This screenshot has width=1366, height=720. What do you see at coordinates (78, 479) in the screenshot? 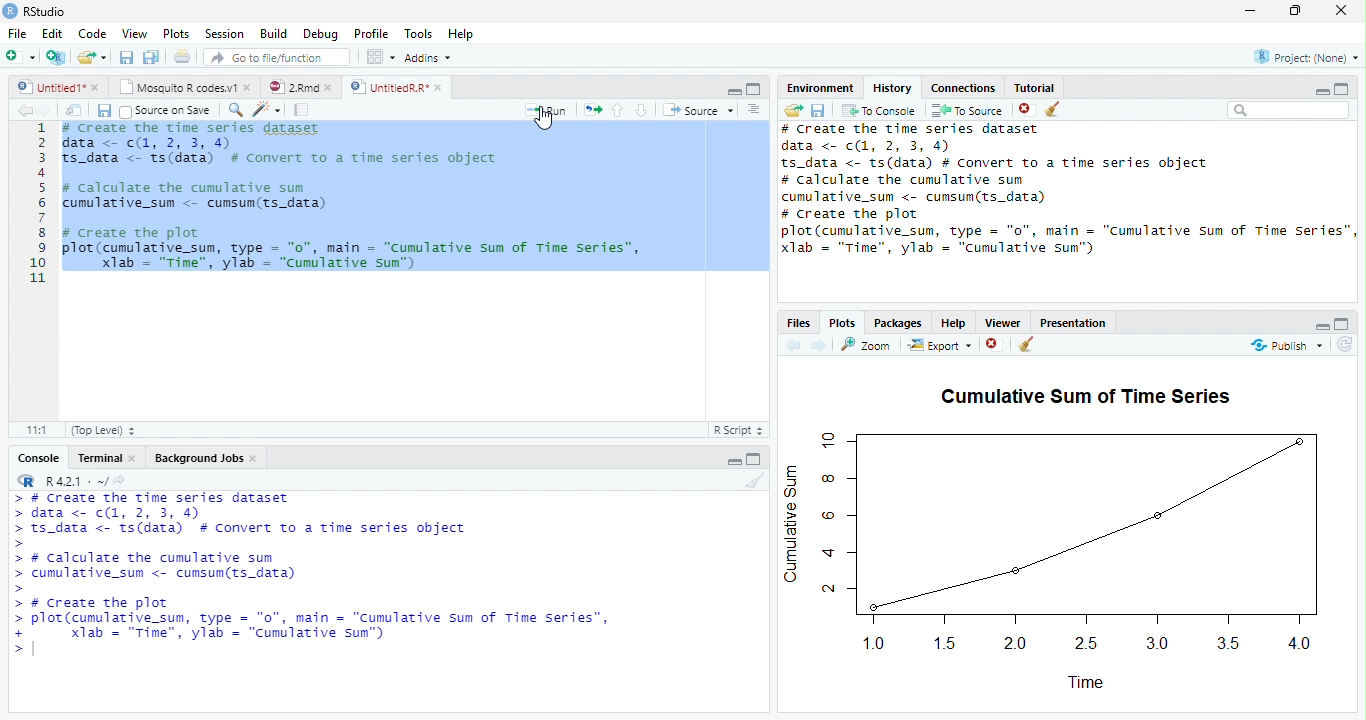
I see `R 4.0.1` at bounding box center [78, 479].